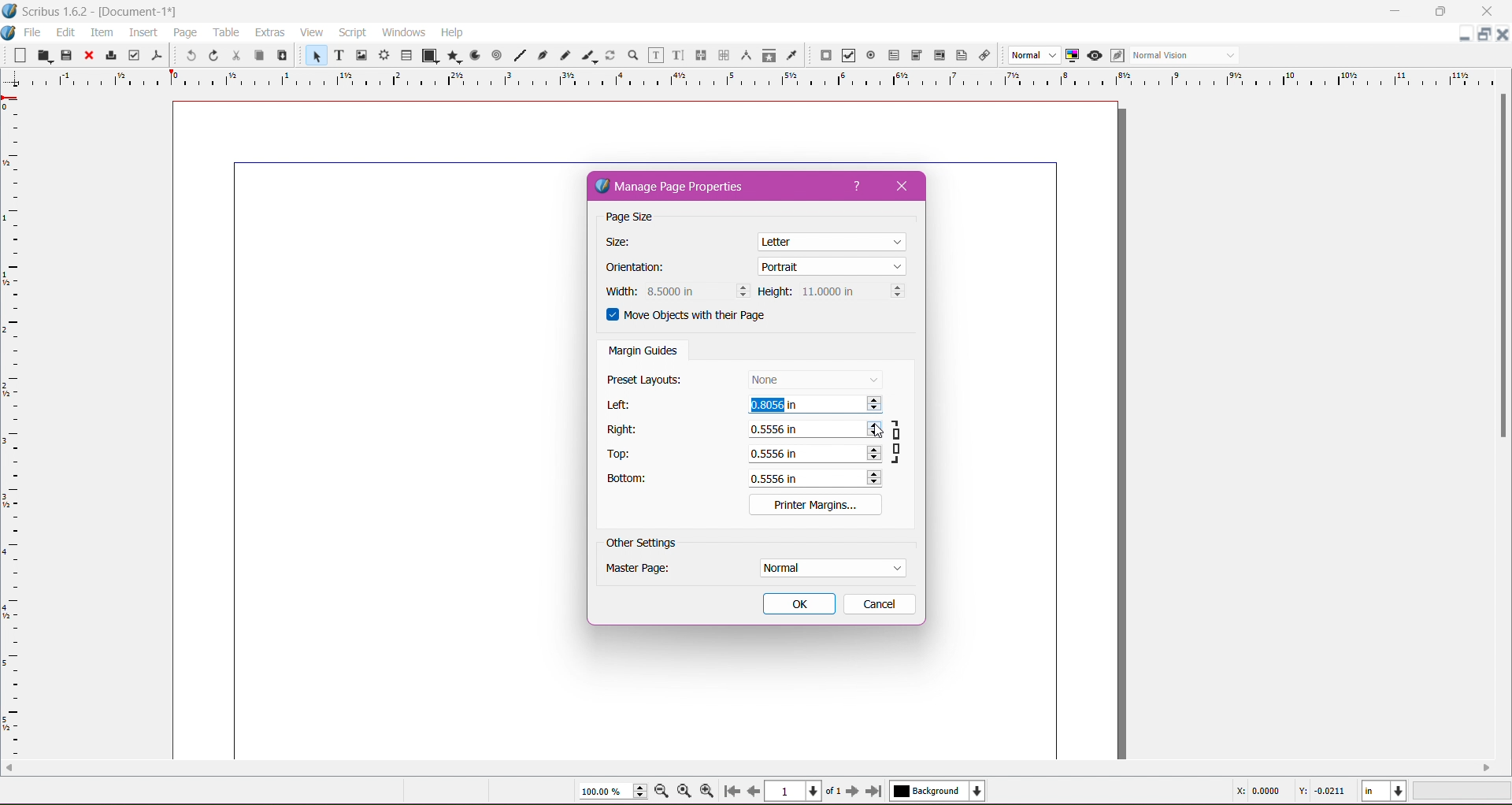  What do you see at coordinates (748, 768) in the screenshot?
I see `Horizontal Scroll Bar` at bounding box center [748, 768].